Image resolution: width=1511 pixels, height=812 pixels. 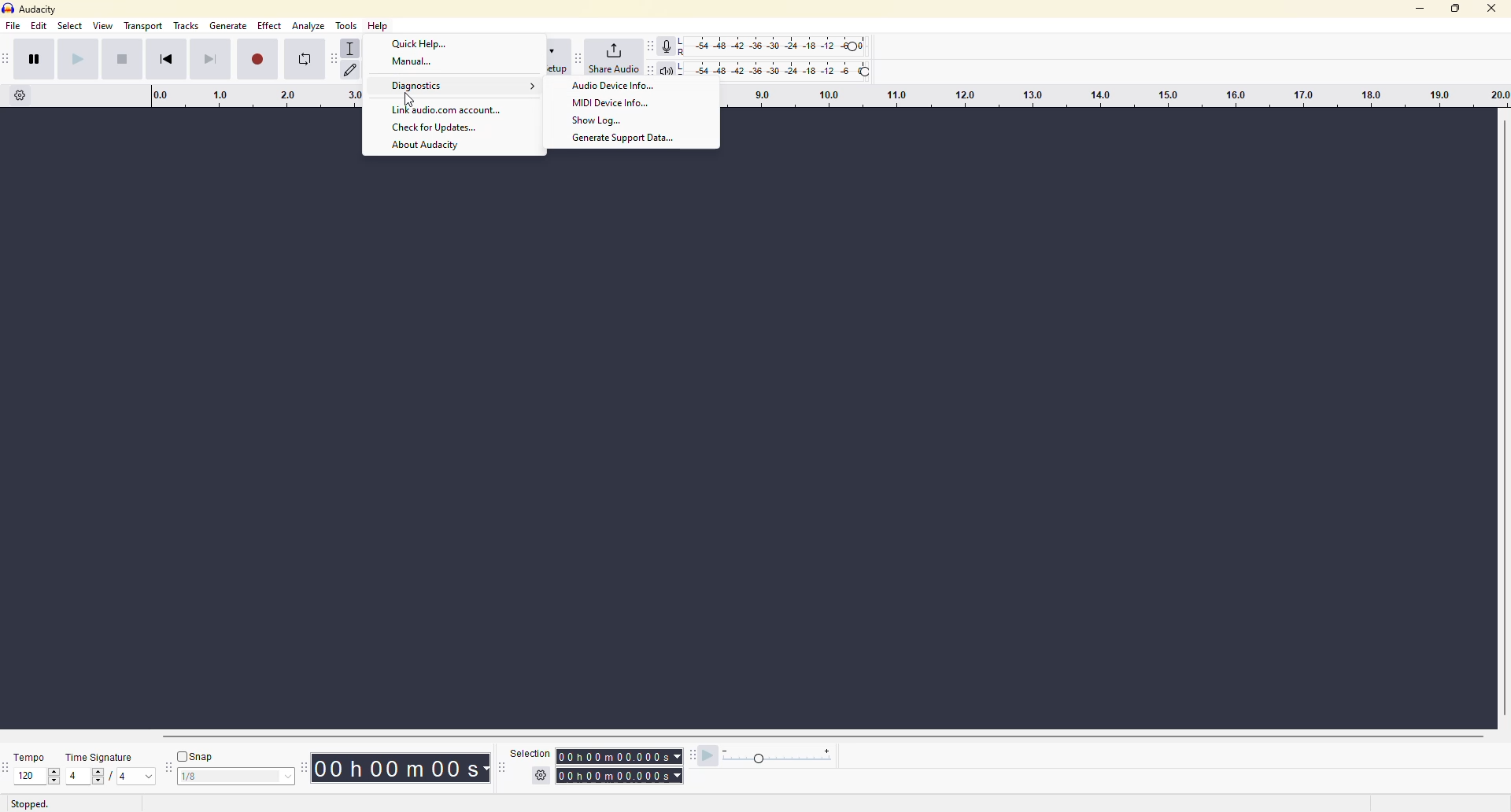 What do you see at coordinates (423, 44) in the screenshot?
I see `Quick Help` at bounding box center [423, 44].